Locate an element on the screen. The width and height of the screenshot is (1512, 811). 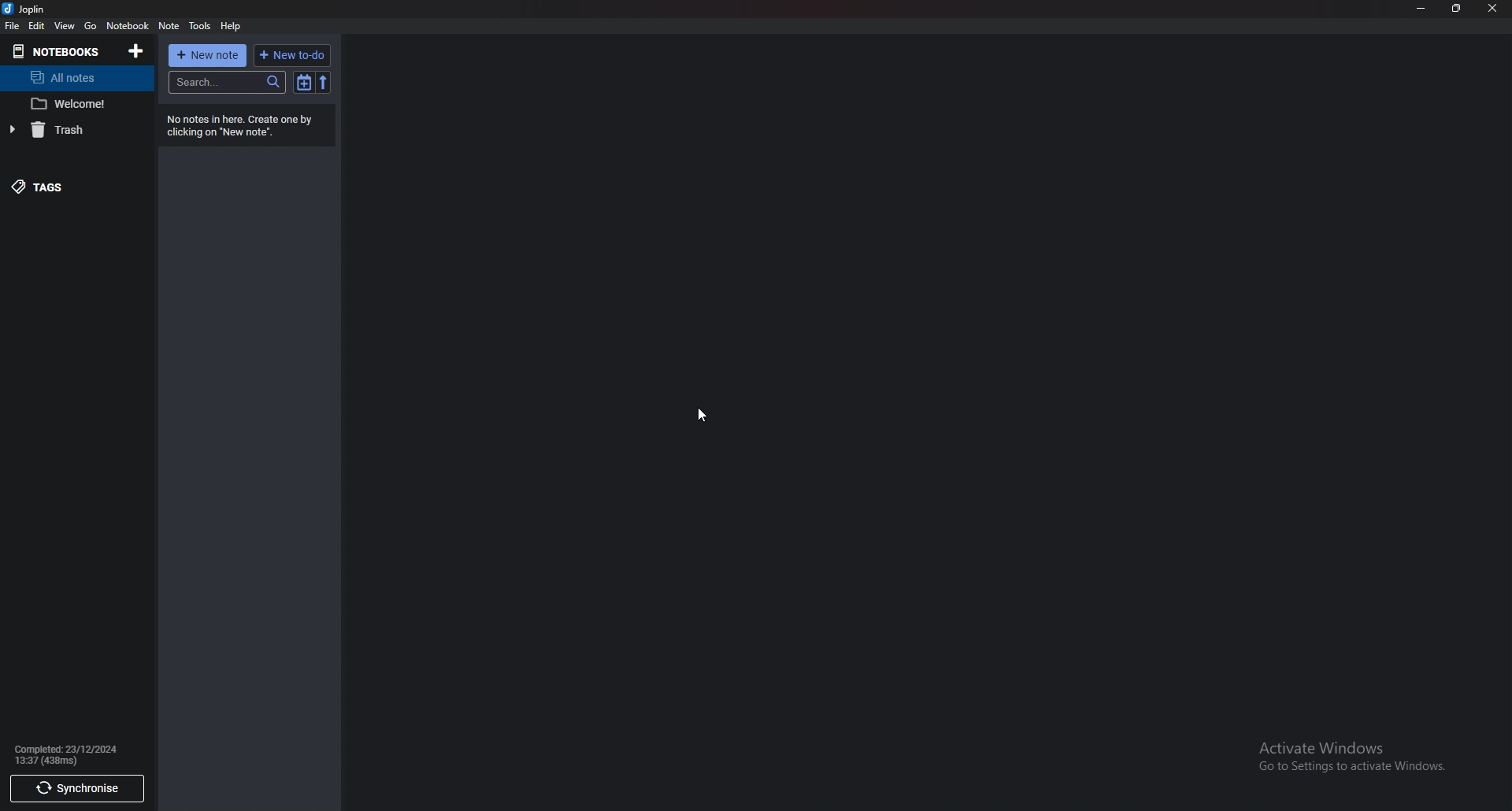
notebook is located at coordinates (128, 27).